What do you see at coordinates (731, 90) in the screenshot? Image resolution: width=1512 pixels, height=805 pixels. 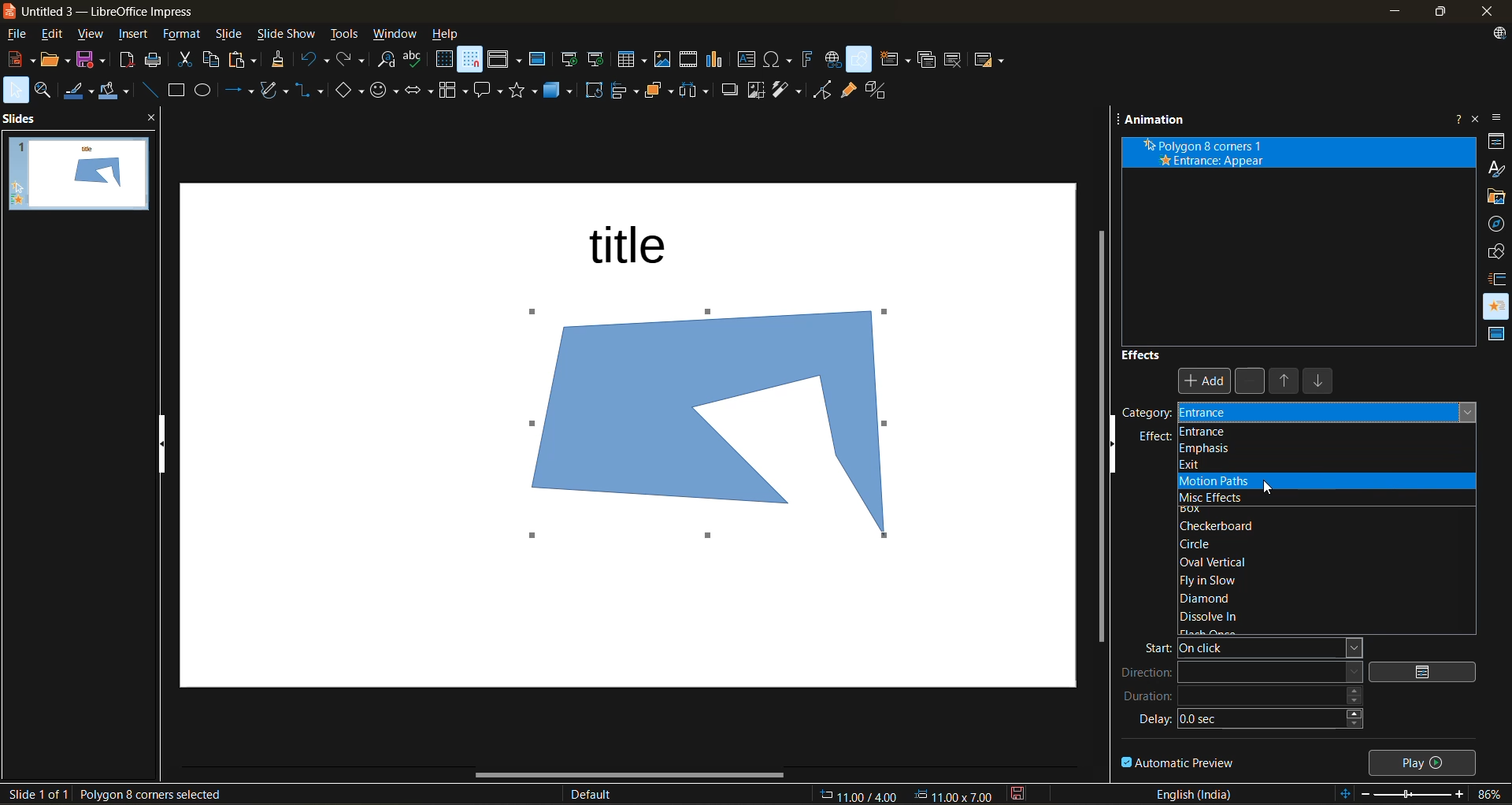 I see `shadow` at bounding box center [731, 90].